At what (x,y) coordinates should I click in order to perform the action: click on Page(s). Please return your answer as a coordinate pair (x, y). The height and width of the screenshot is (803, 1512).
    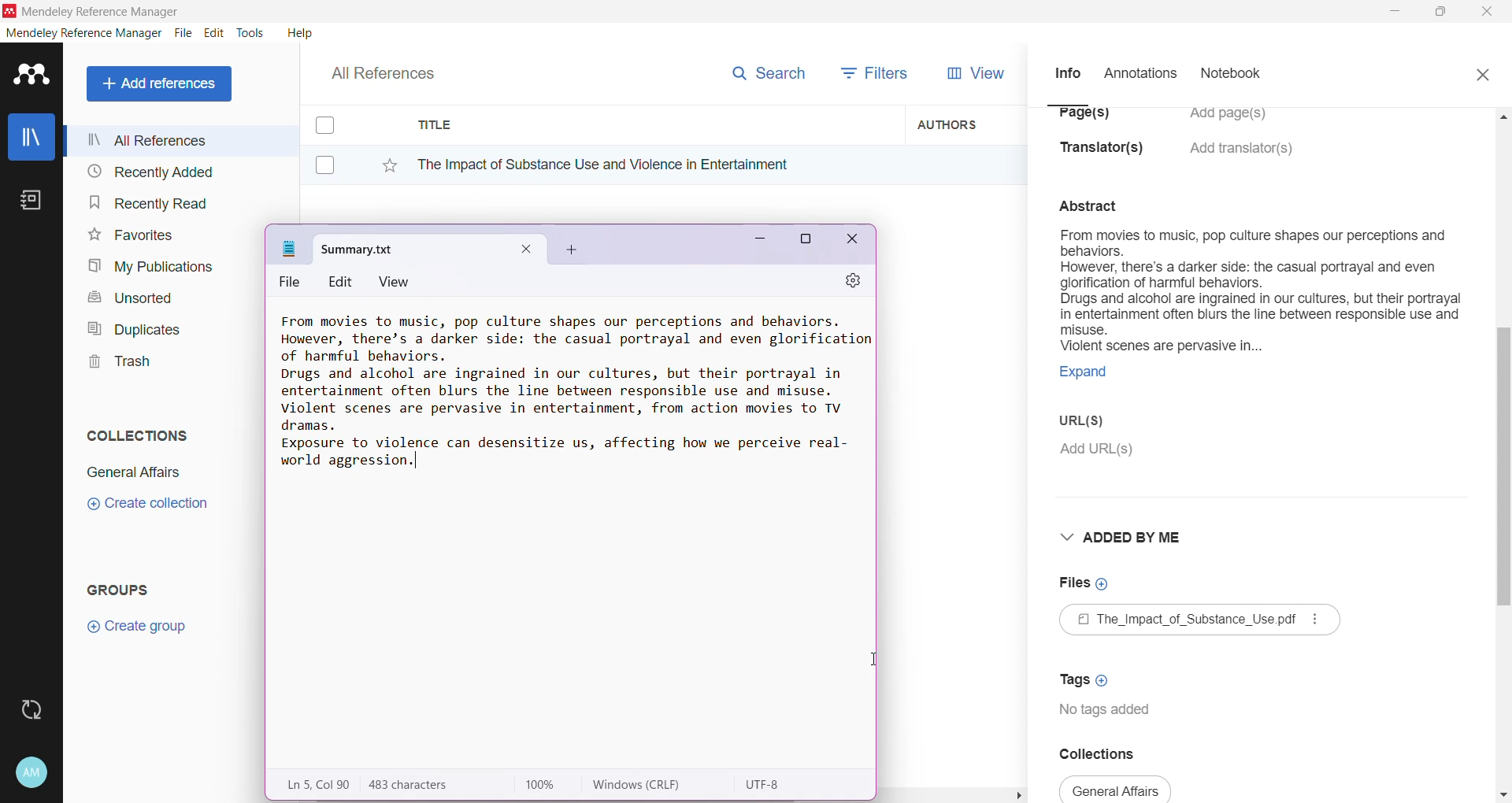
    Looking at the image, I should click on (1082, 119).